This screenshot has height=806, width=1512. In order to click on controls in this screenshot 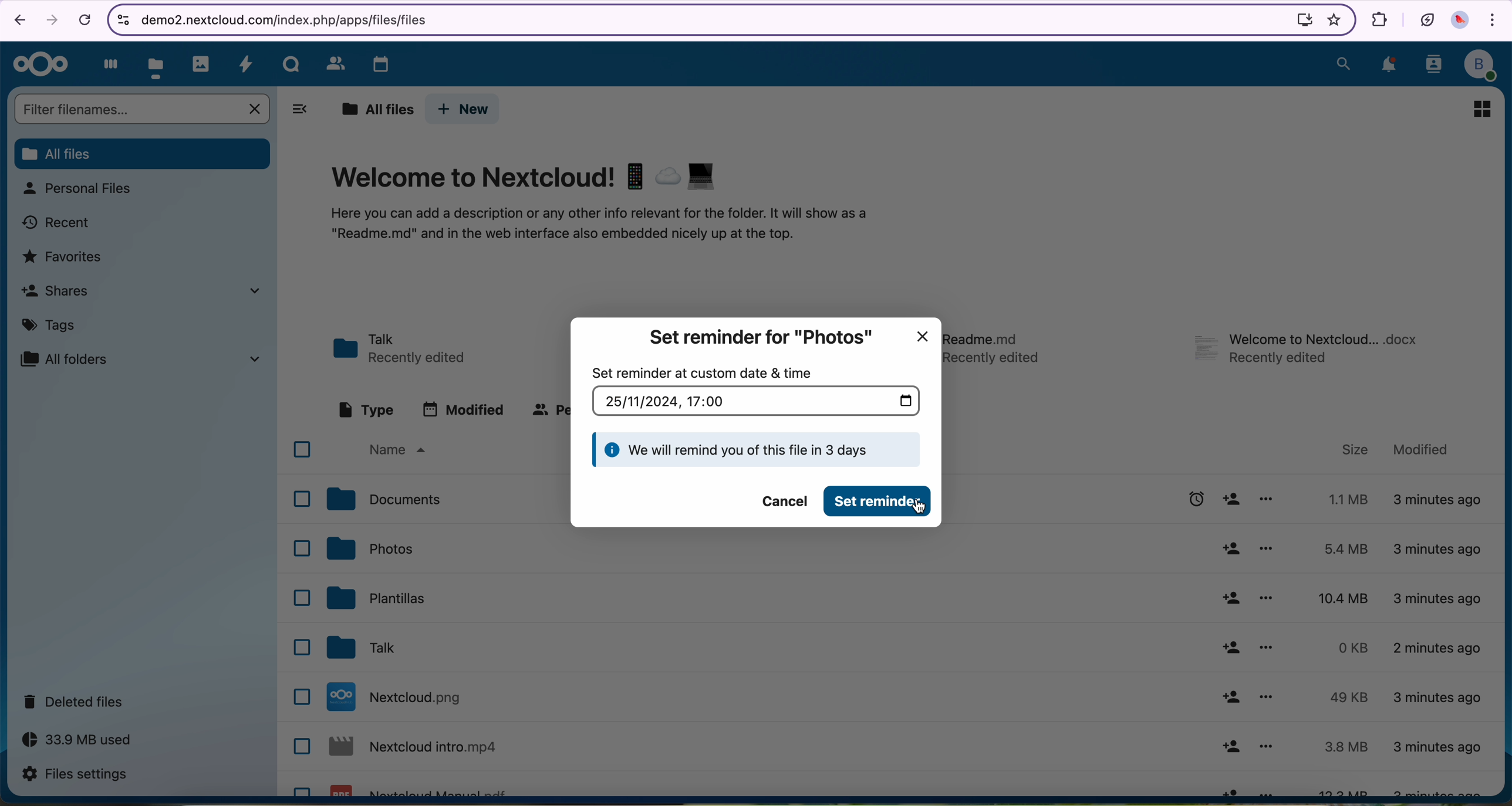, I will do `click(121, 18)`.